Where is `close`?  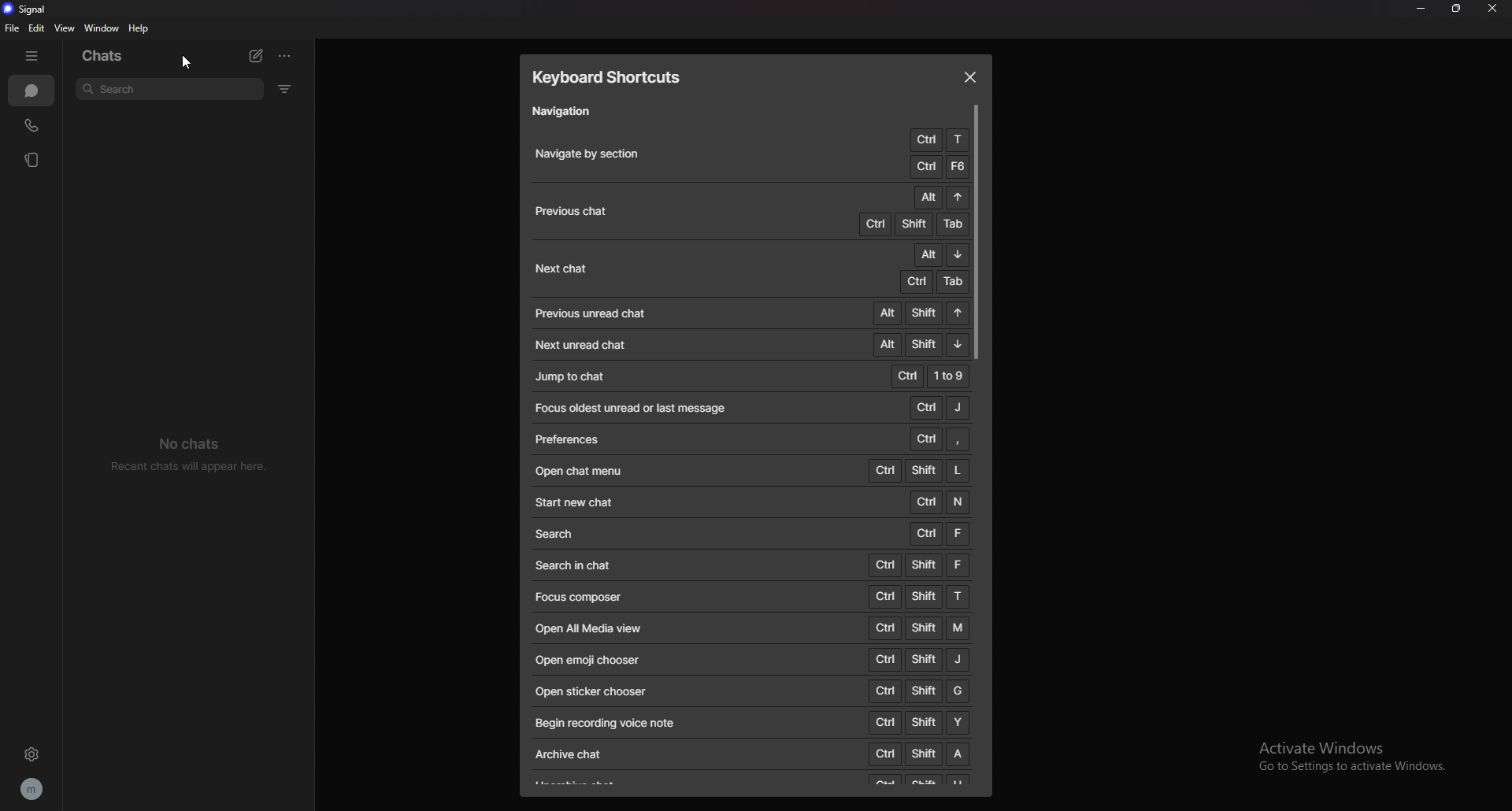 close is located at coordinates (970, 76).